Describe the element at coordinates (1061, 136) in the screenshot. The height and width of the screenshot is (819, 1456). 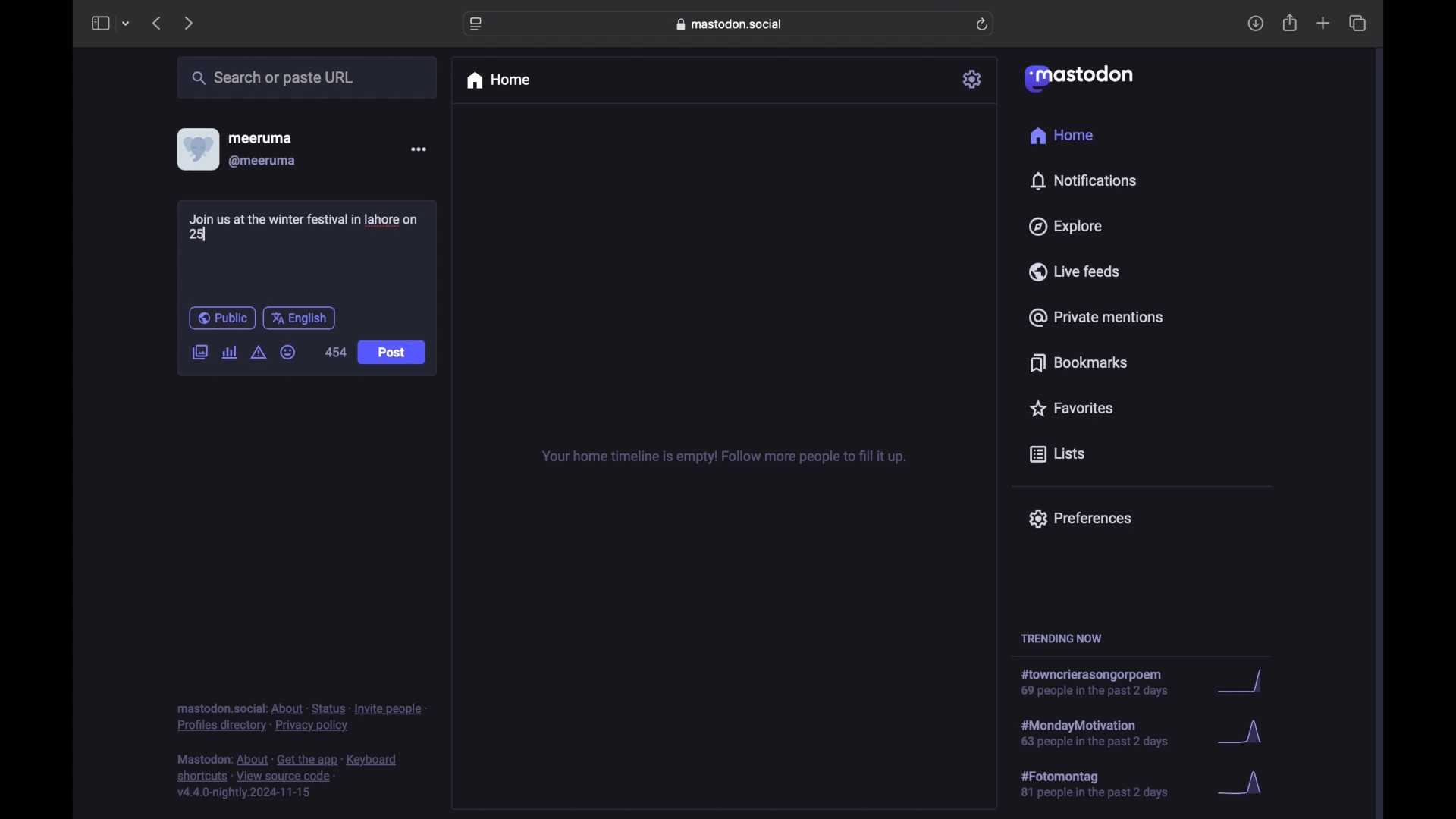
I see `home` at that location.